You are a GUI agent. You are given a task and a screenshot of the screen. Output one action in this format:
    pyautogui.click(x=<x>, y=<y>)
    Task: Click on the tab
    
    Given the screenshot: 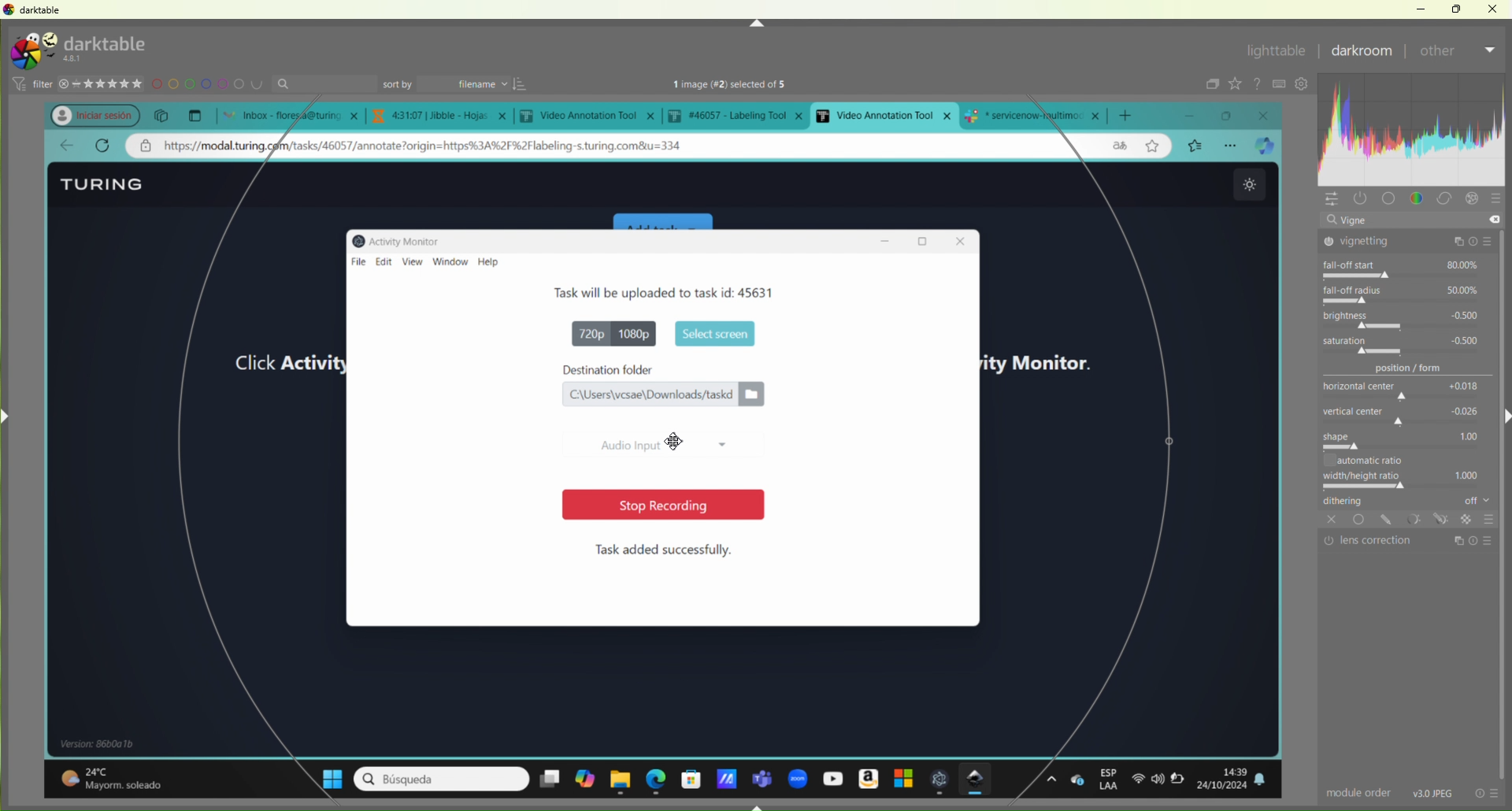 What is the action you would take?
    pyautogui.click(x=740, y=115)
    